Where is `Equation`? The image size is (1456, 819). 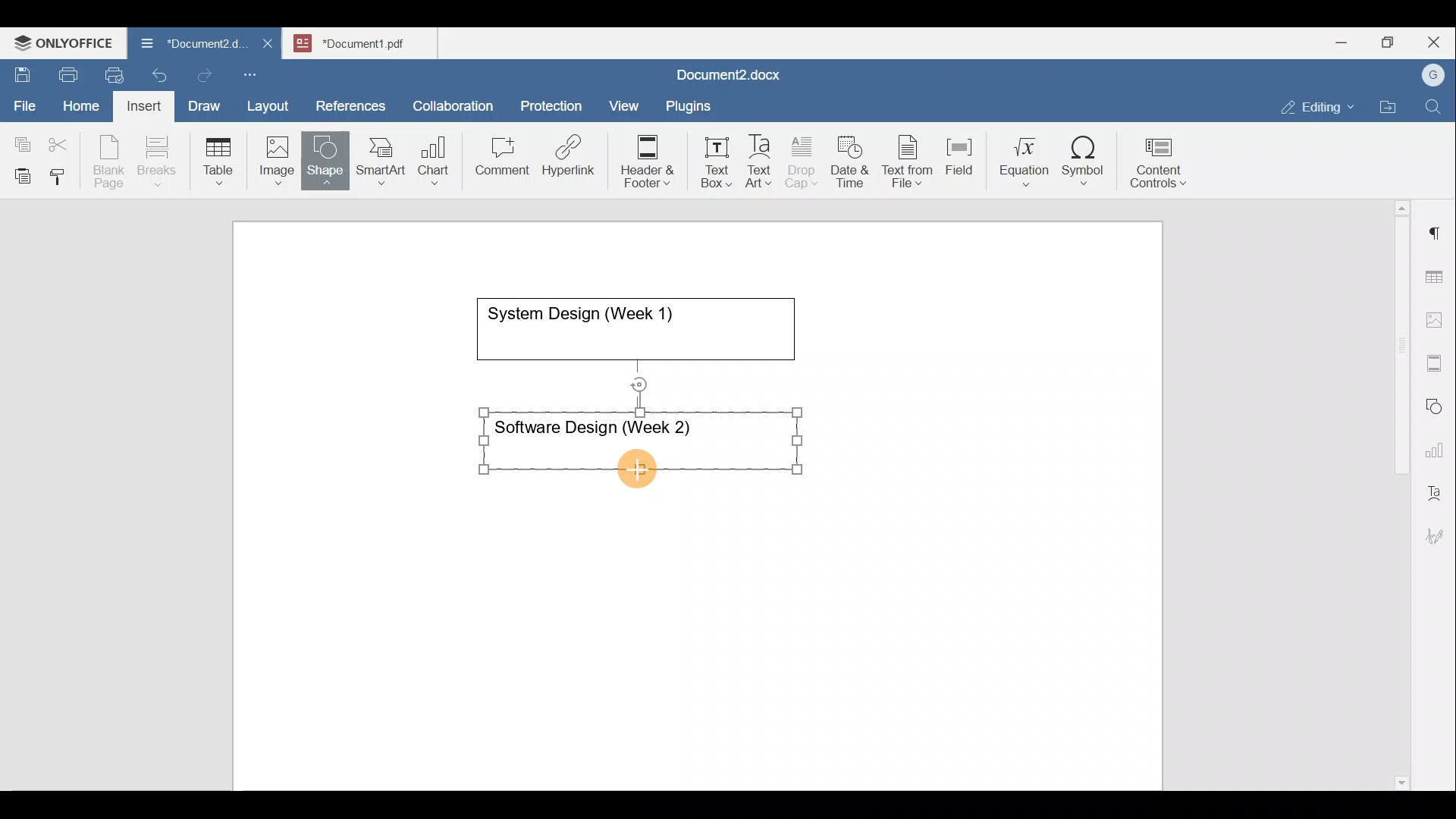
Equation is located at coordinates (1028, 161).